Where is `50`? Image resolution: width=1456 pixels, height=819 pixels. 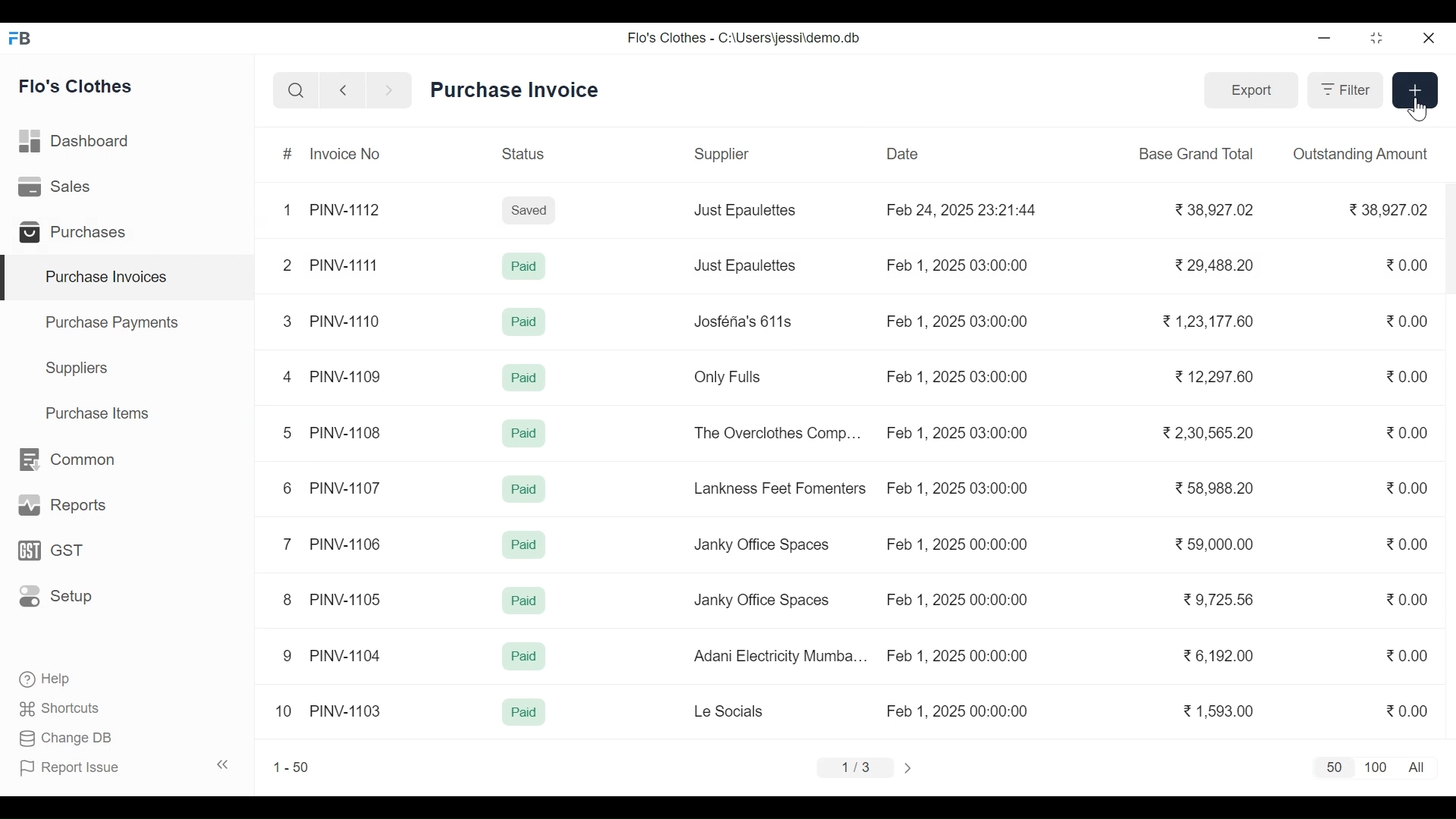
50 is located at coordinates (1336, 768).